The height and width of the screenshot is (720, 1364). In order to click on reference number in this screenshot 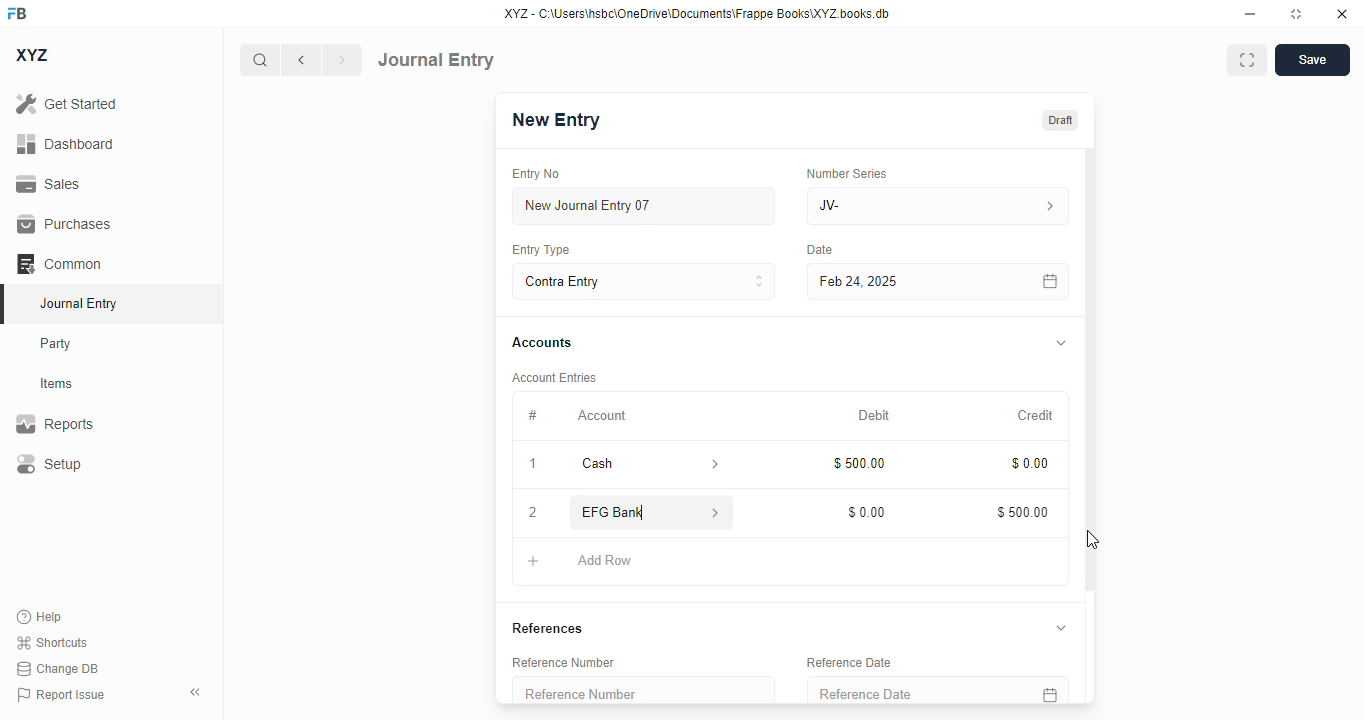, I will do `click(645, 690)`.